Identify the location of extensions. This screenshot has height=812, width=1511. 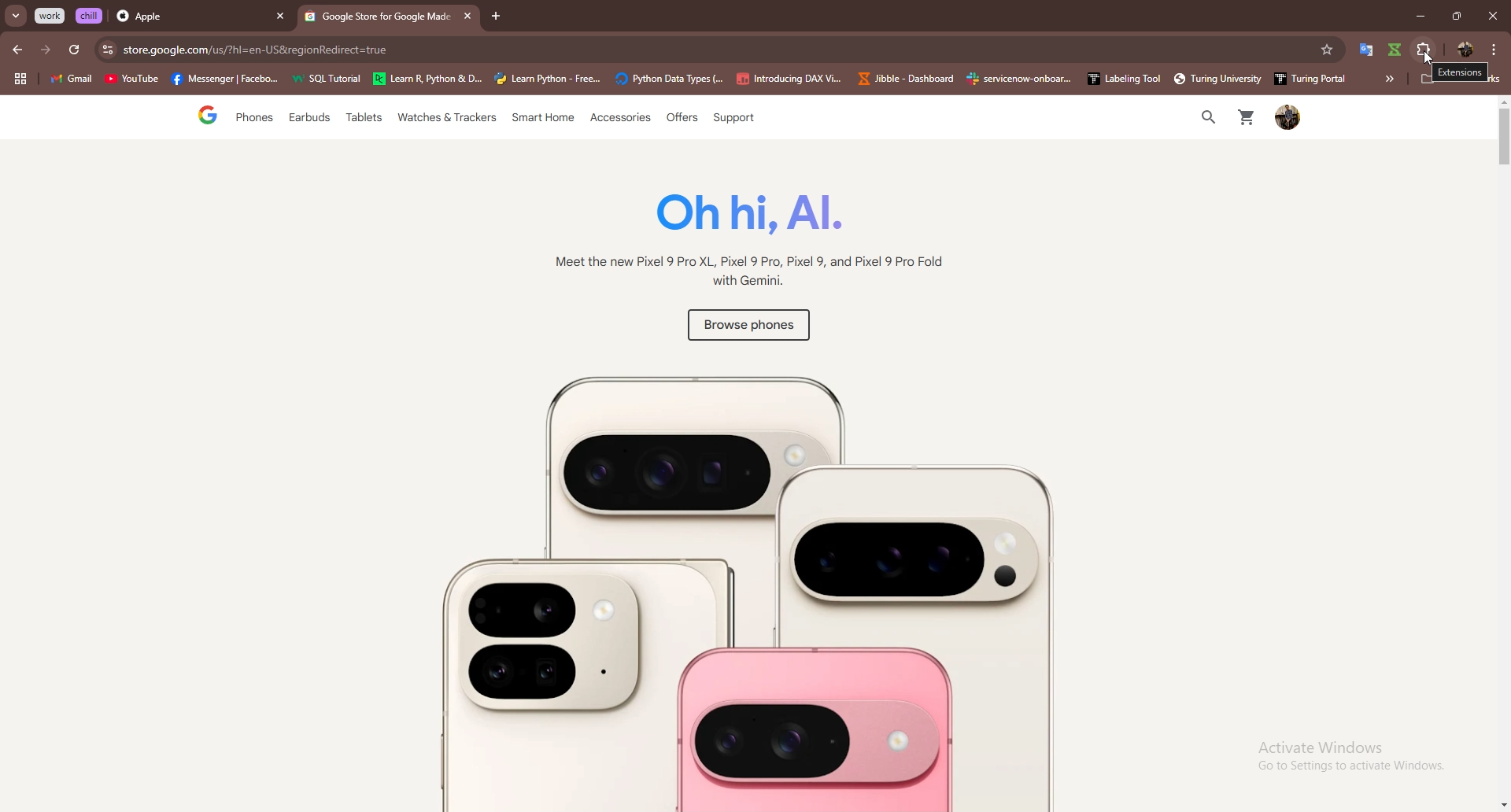
(1424, 50).